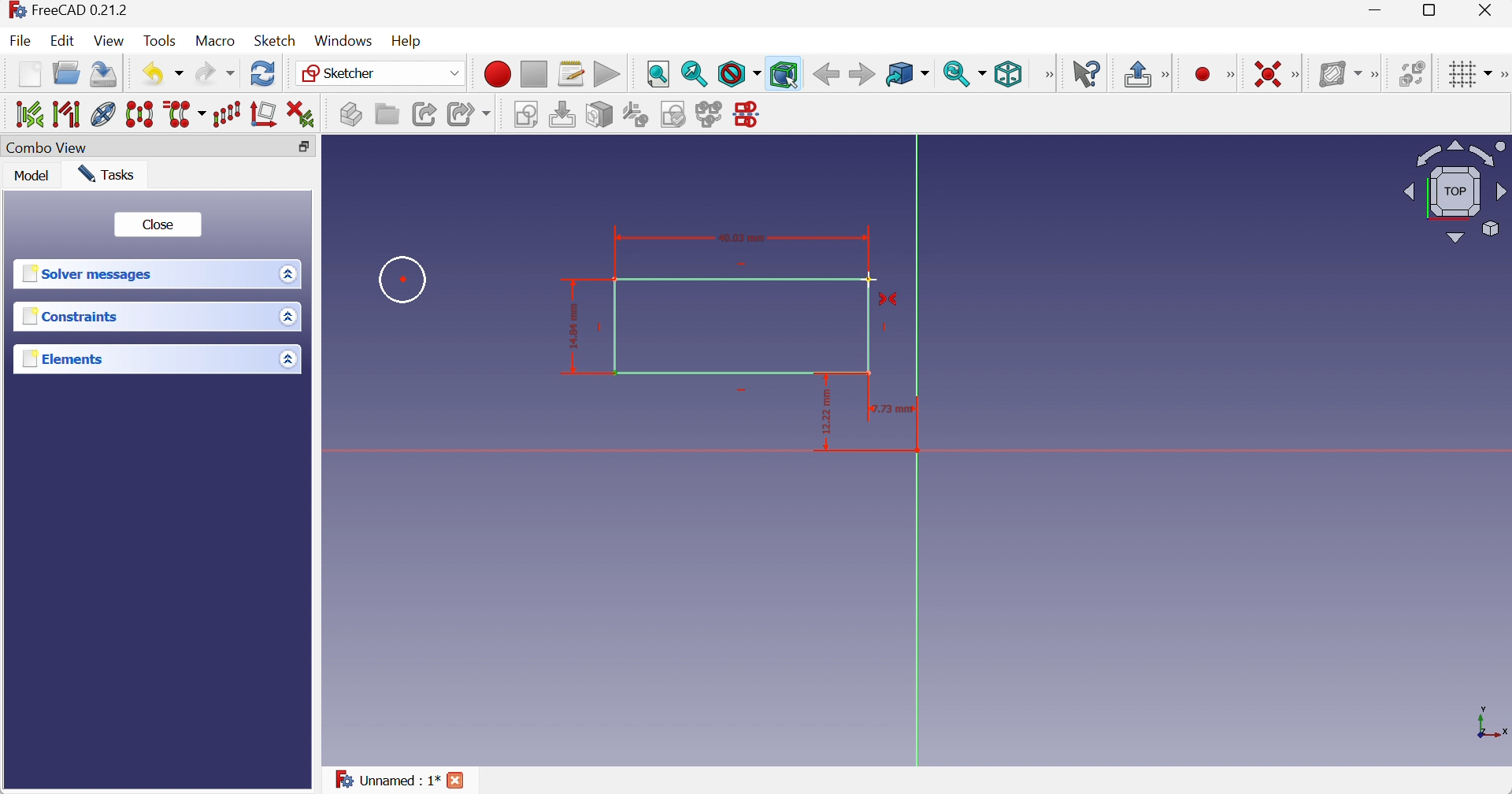  I want to click on Leave sketch, so click(1138, 75).